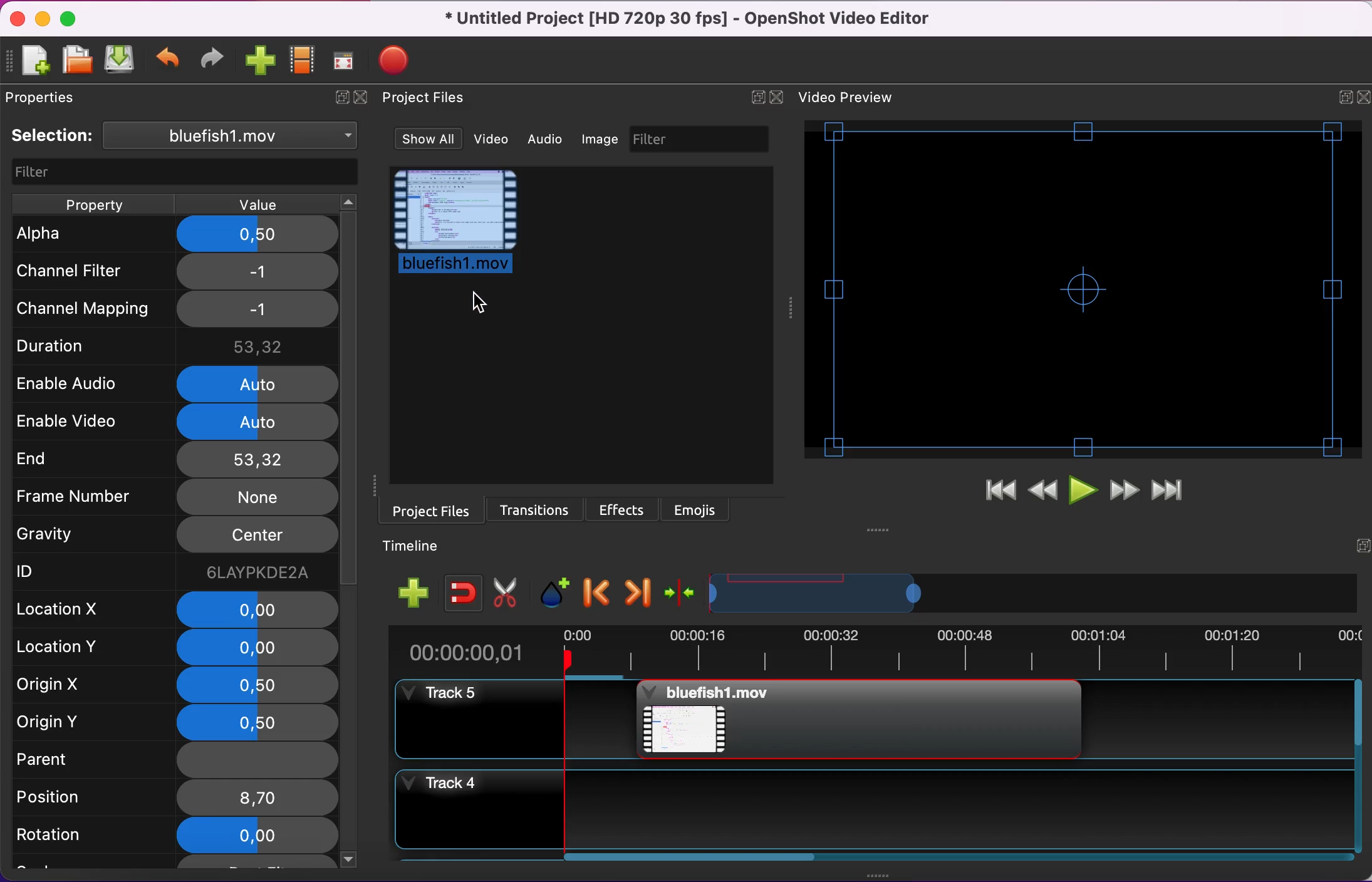 This screenshot has height=882, width=1372. Describe the element at coordinates (93, 308) in the screenshot. I see `channel mapping` at that location.